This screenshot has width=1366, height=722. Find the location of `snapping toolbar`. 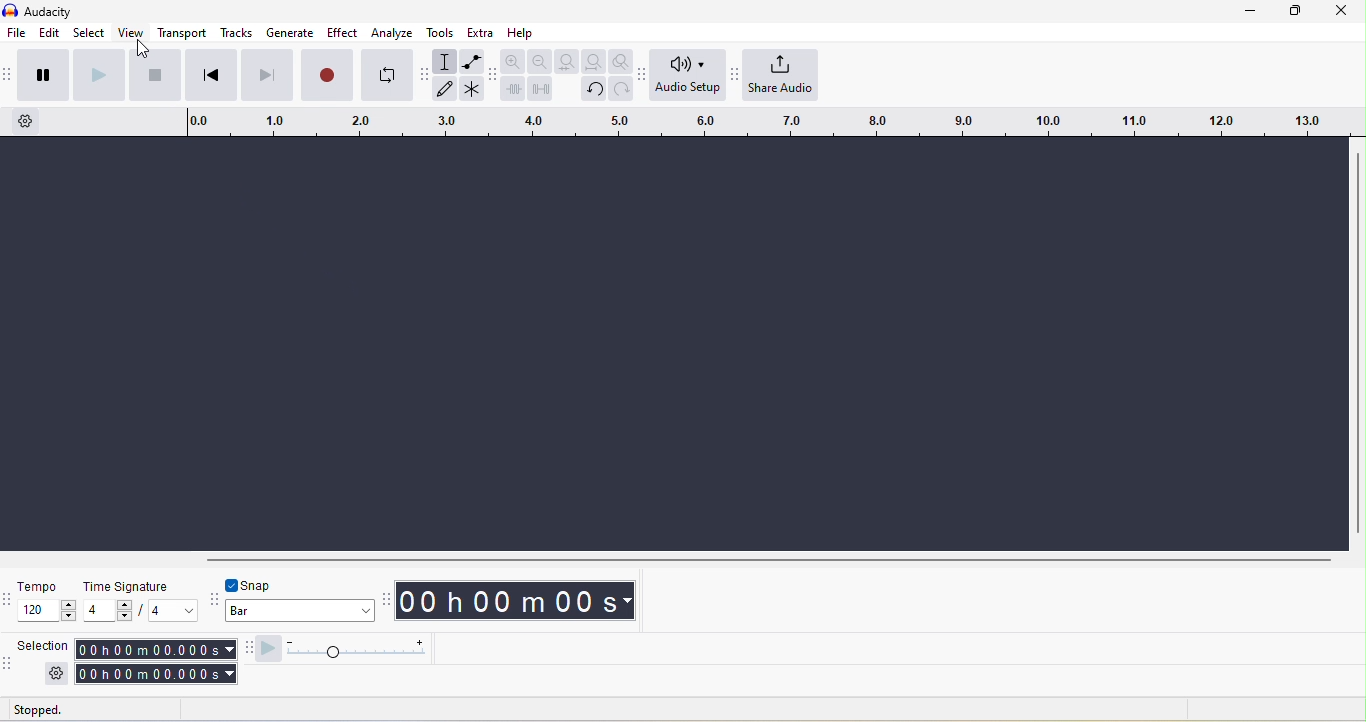

snapping toolbar is located at coordinates (213, 601).